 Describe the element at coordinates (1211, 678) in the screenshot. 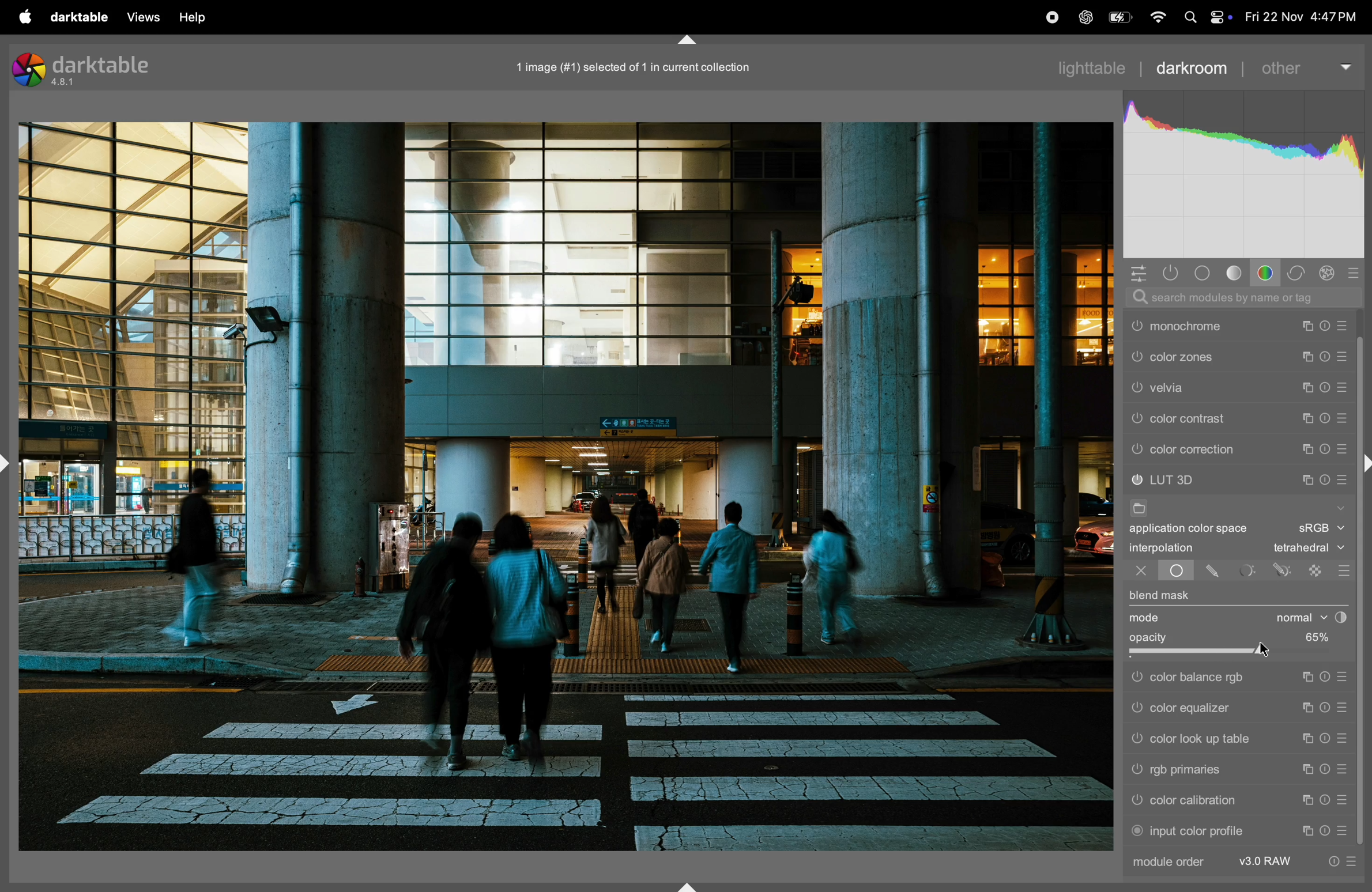

I see `color balance rgb` at that location.